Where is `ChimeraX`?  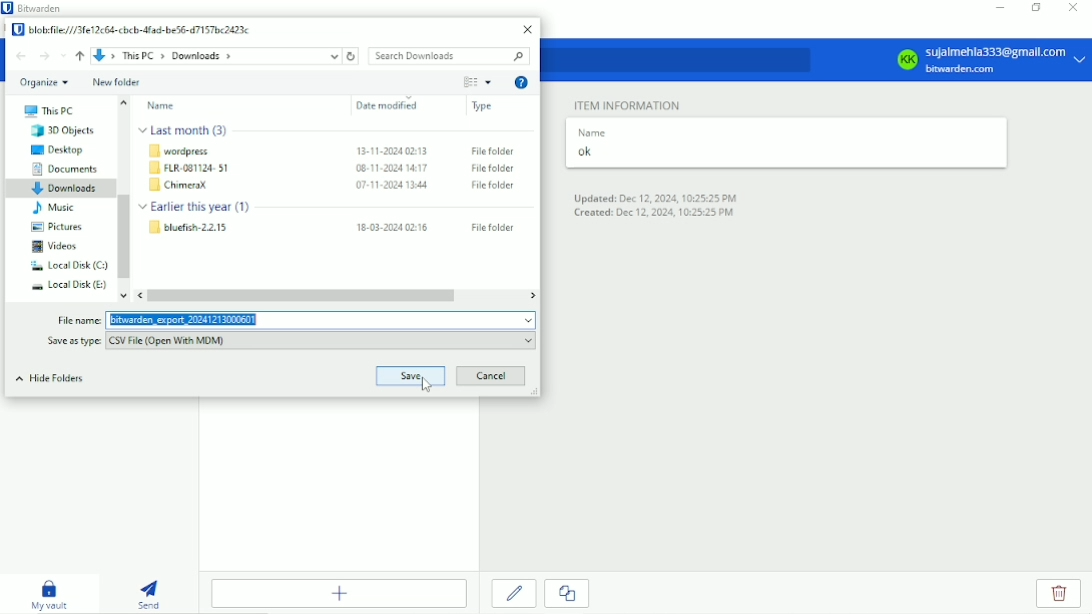
ChimeraX is located at coordinates (181, 186).